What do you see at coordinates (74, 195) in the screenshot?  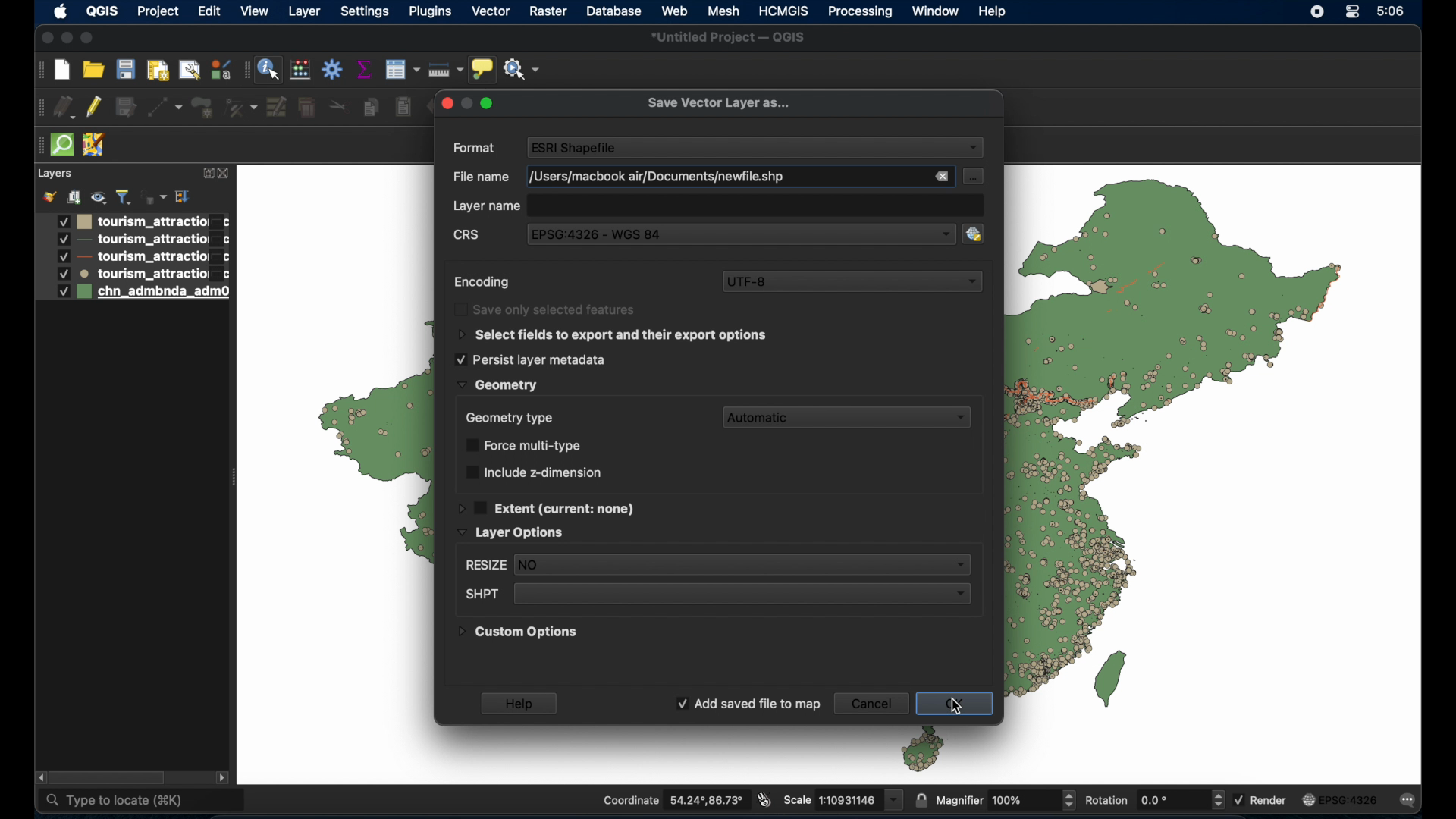 I see `add group` at bounding box center [74, 195].